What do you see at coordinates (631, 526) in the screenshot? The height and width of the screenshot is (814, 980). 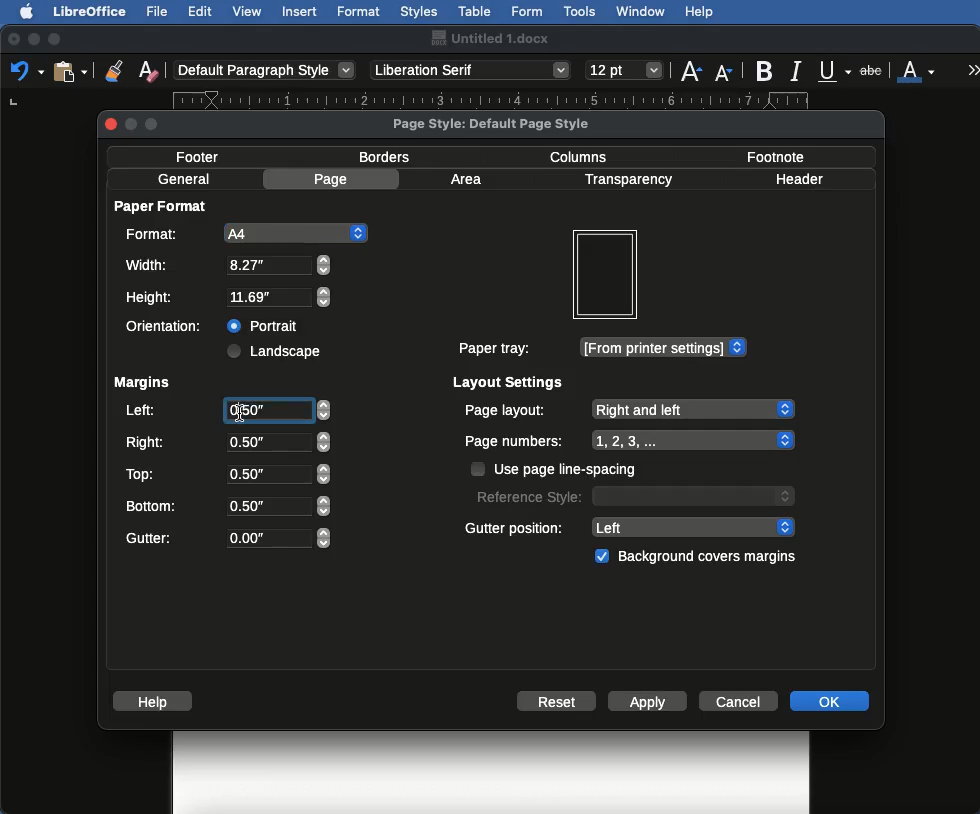 I see `Gutter position` at bounding box center [631, 526].